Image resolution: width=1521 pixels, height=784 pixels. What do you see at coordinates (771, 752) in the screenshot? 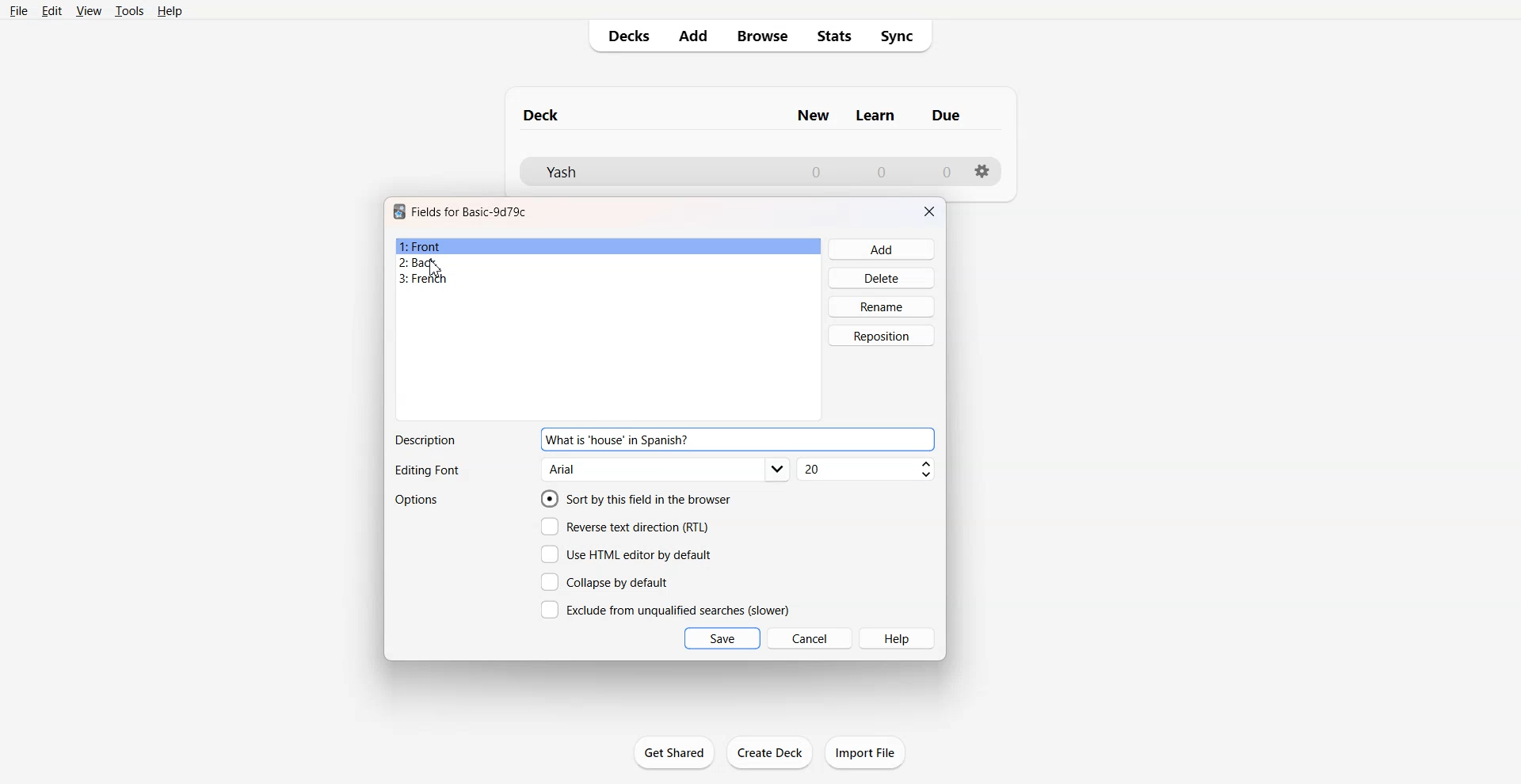
I see `Create Deck` at bounding box center [771, 752].